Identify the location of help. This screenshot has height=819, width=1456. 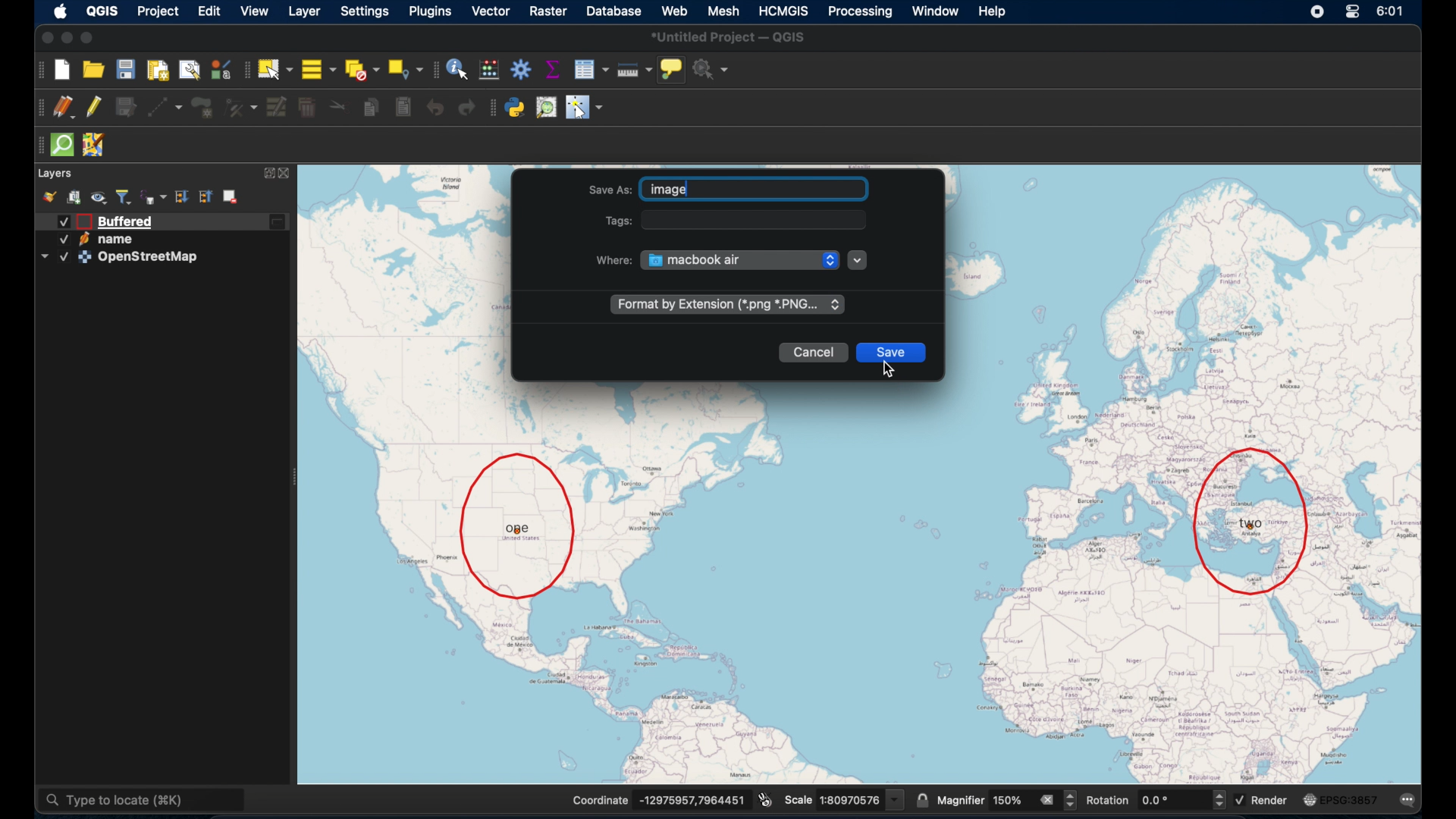
(994, 14).